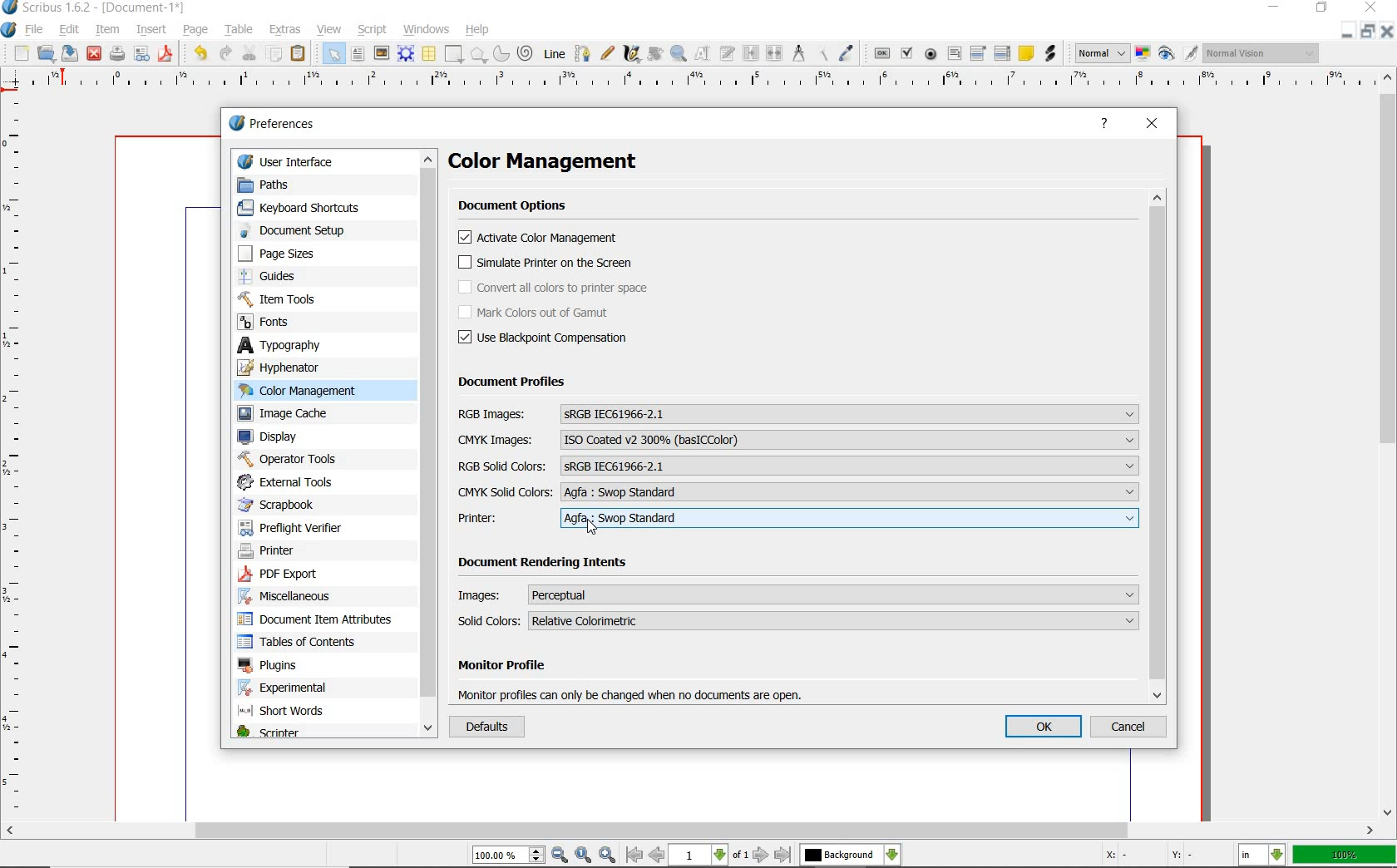 This screenshot has height=868, width=1397. What do you see at coordinates (689, 831) in the screenshot?
I see `scrollbar` at bounding box center [689, 831].